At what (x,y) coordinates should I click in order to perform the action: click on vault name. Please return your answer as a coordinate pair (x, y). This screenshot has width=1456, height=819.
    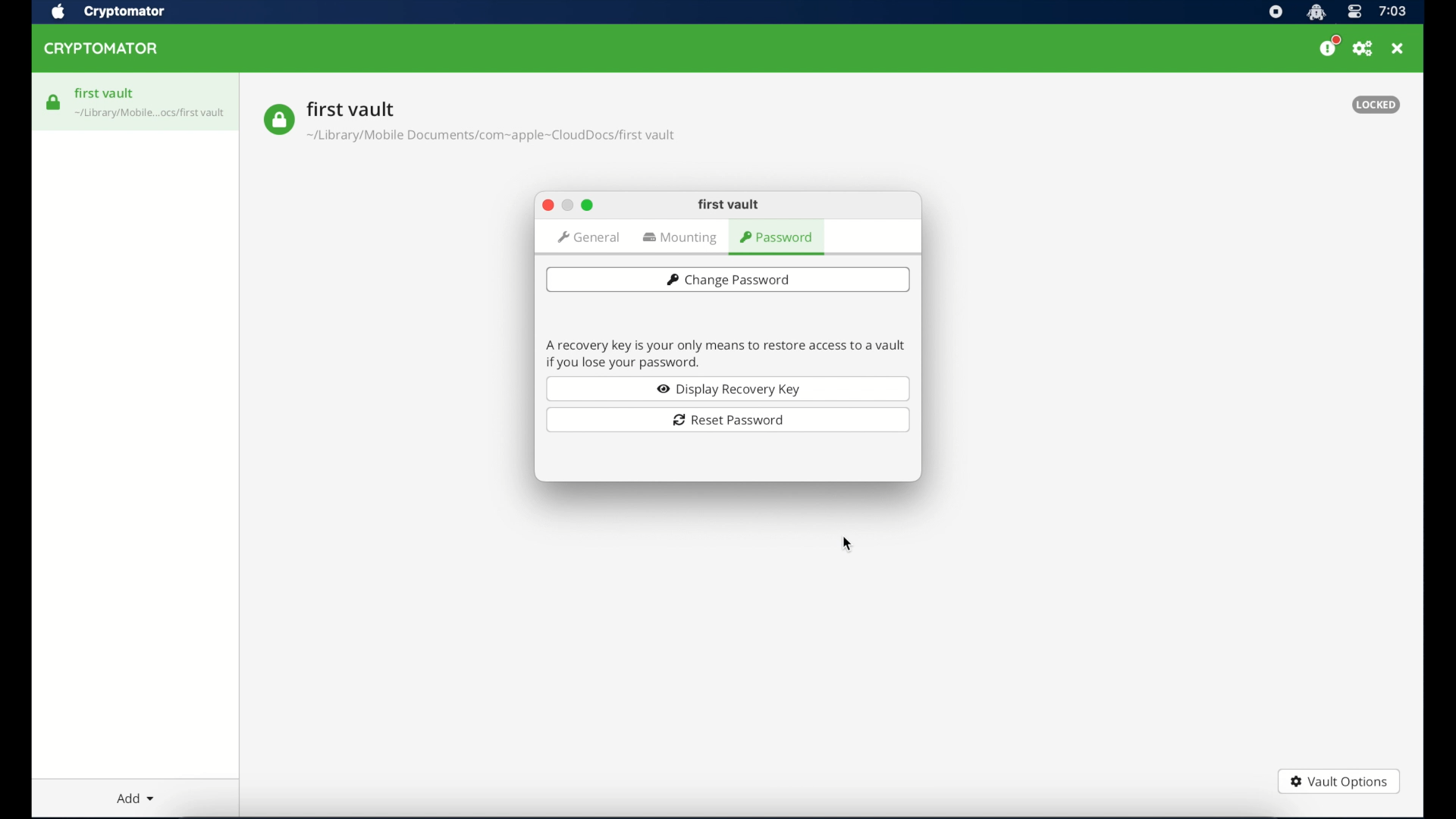
    Looking at the image, I should click on (351, 108).